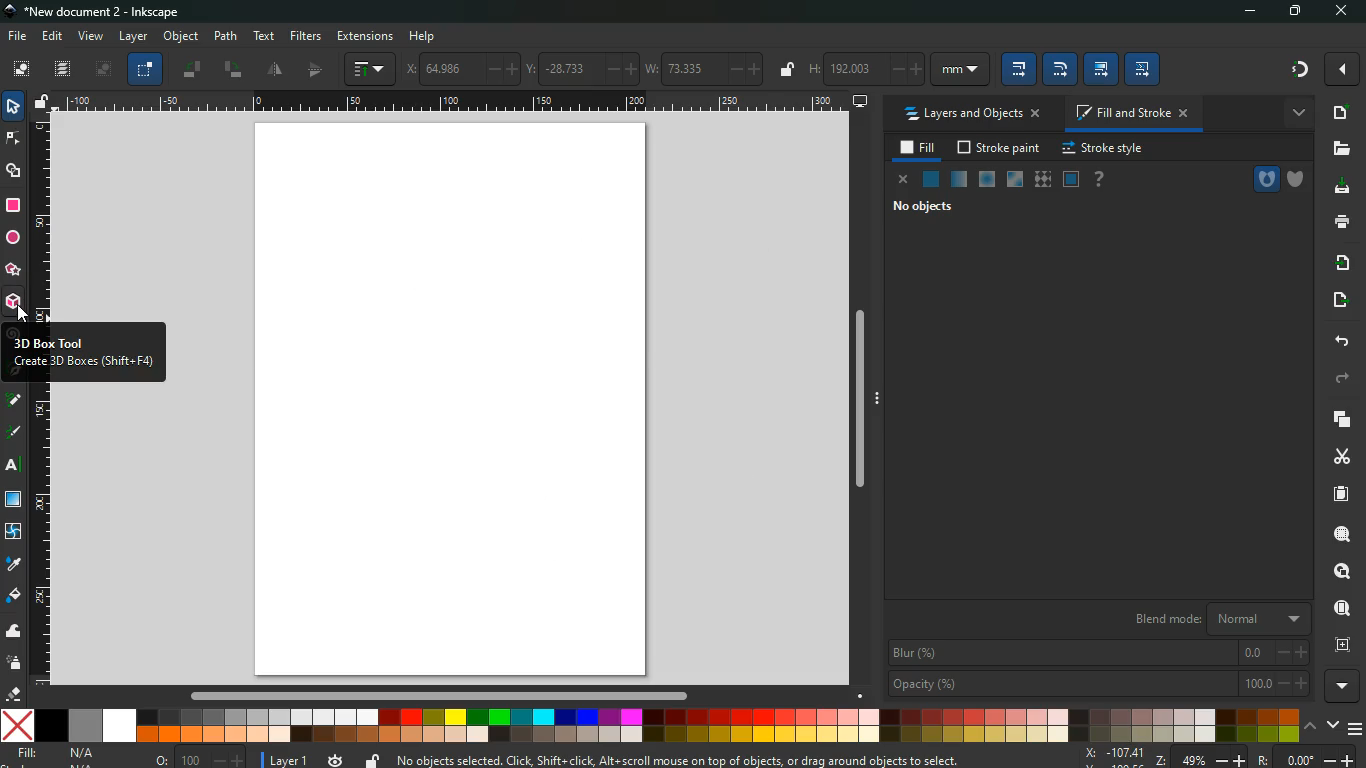 This screenshot has width=1366, height=768. I want to click on eraser, so click(16, 696).